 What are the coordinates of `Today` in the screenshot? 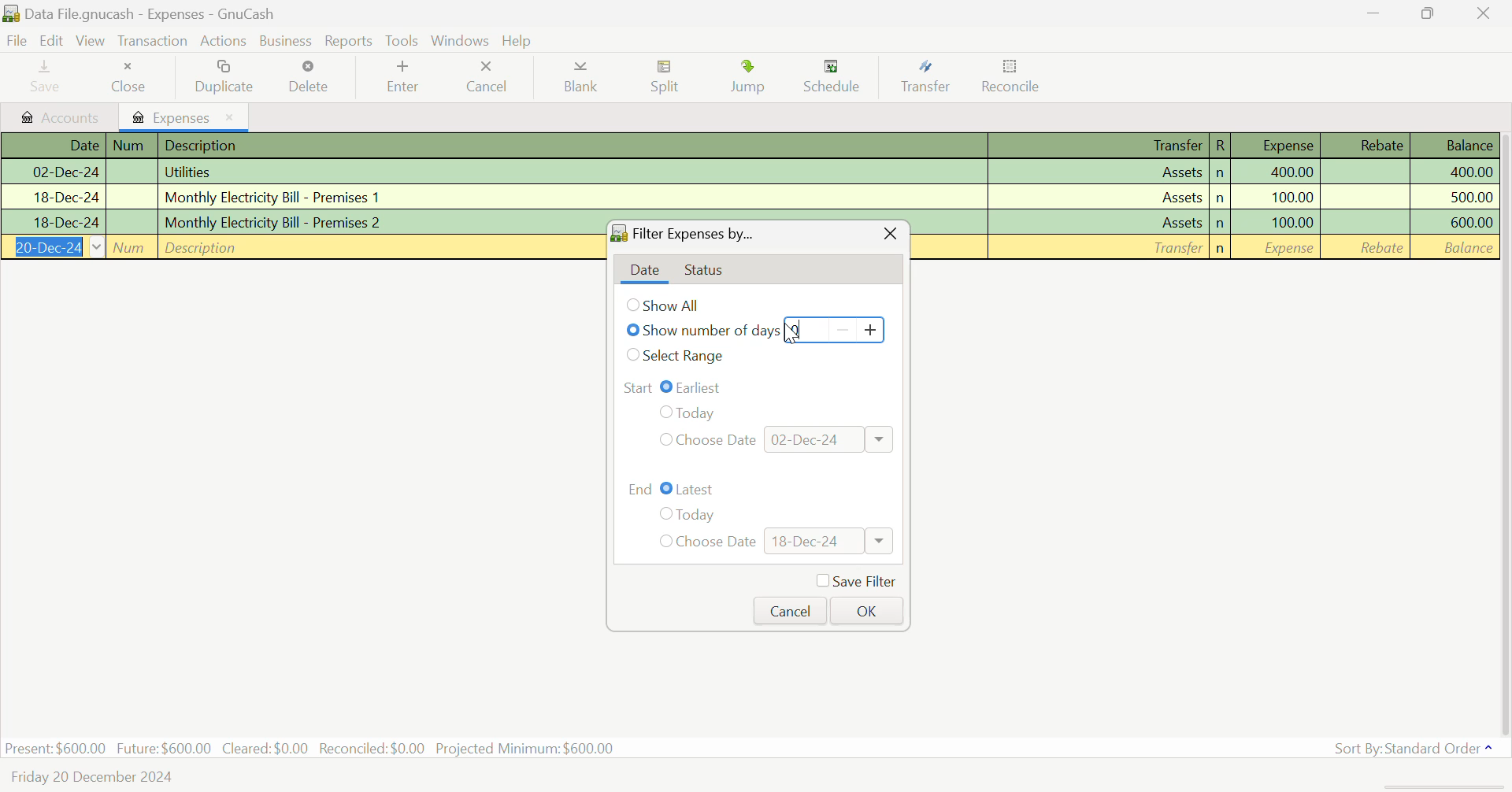 It's located at (691, 413).